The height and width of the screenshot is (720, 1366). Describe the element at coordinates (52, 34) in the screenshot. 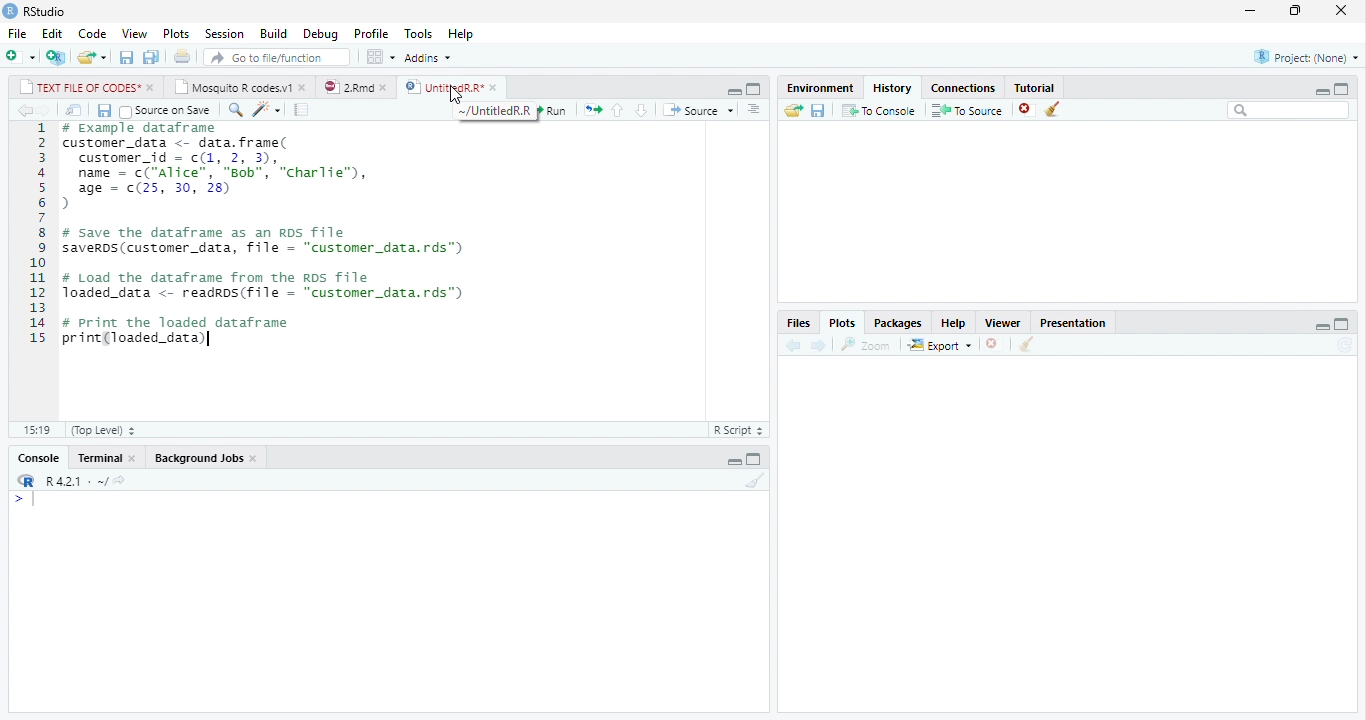

I see `Edit` at that location.